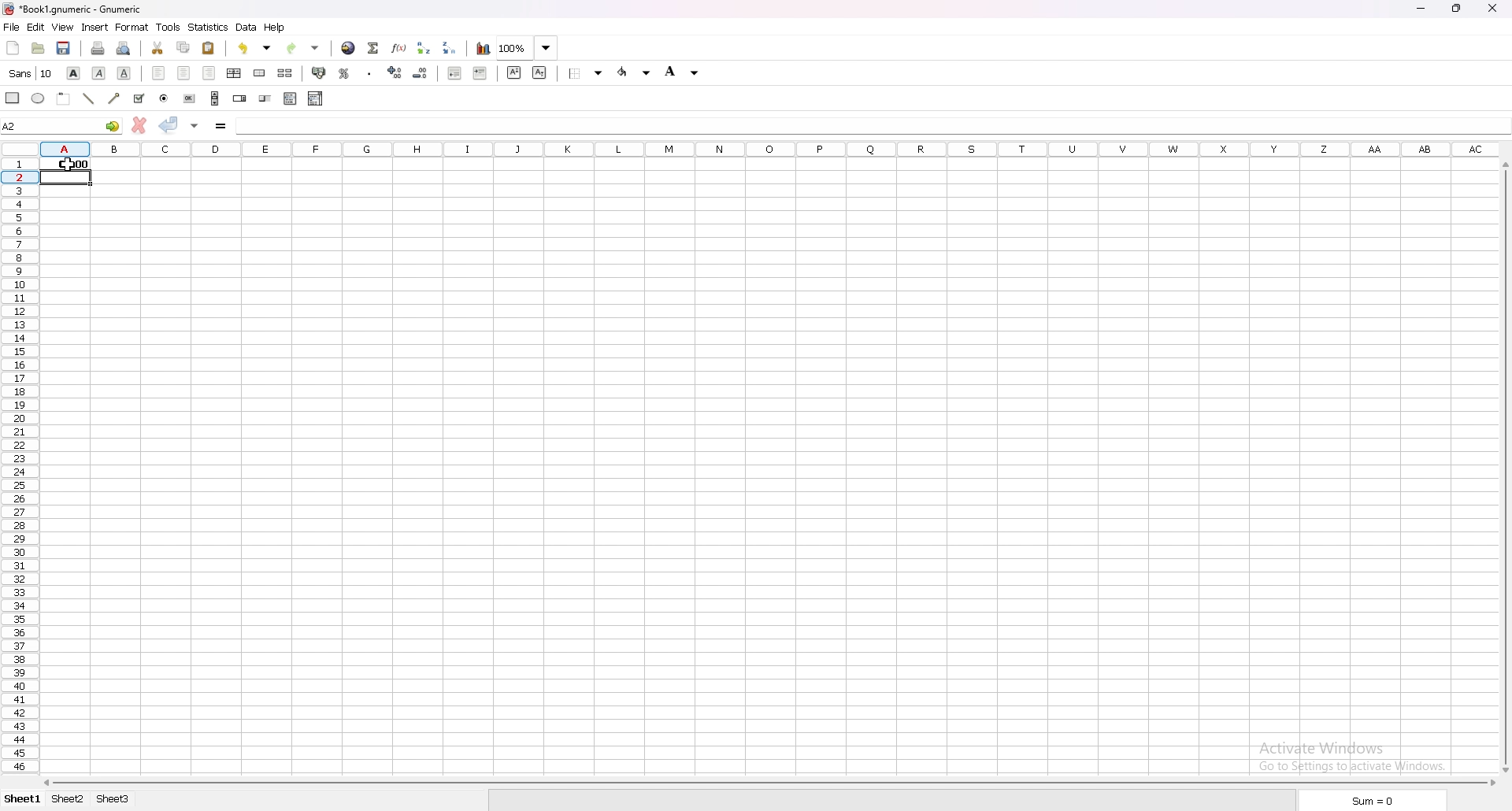 This screenshot has width=1512, height=811. What do you see at coordinates (1456, 9) in the screenshot?
I see `resize` at bounding box center [1456, 9].